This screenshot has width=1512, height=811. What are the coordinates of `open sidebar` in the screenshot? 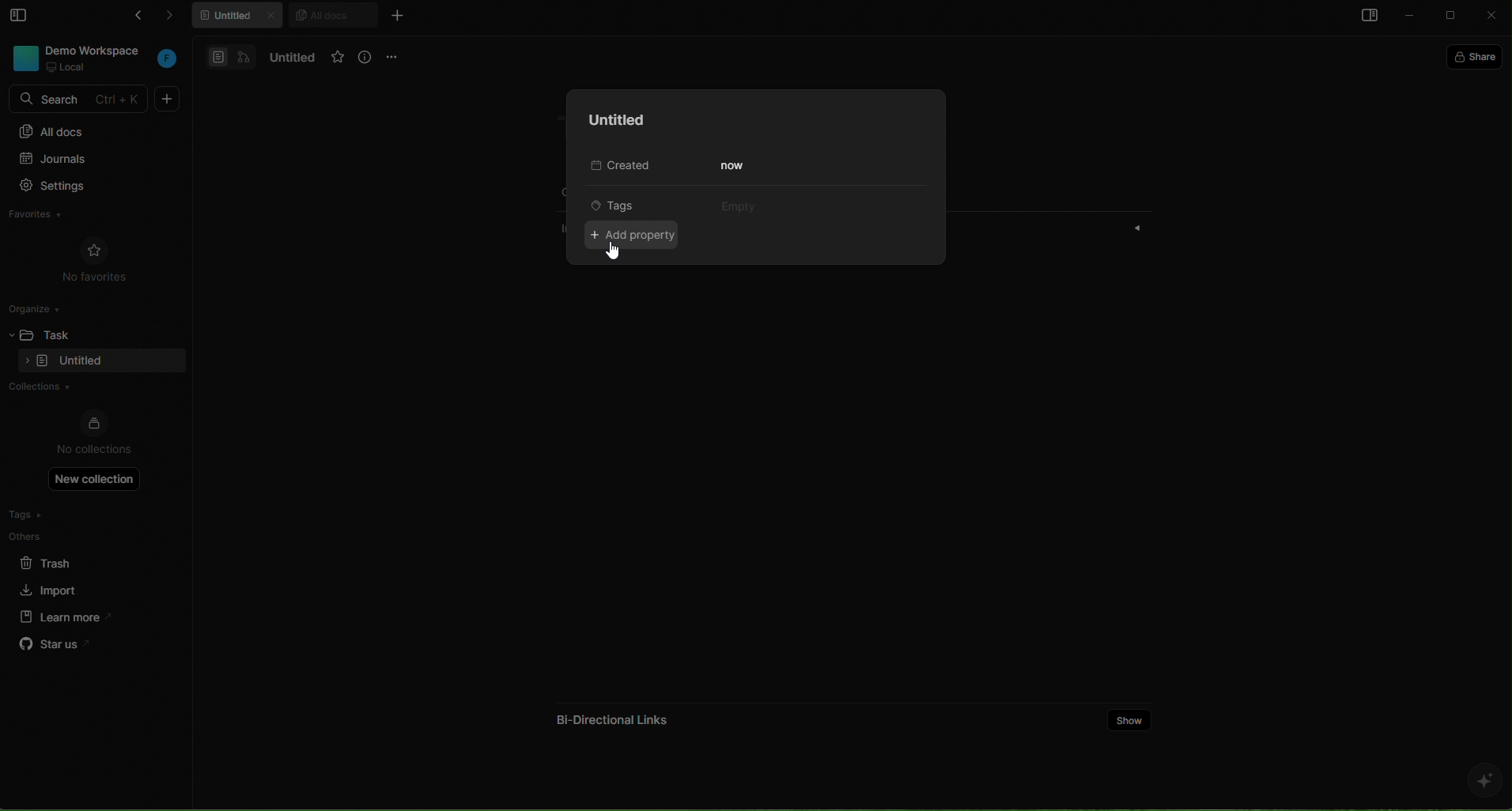 It's located at (1366, 17).